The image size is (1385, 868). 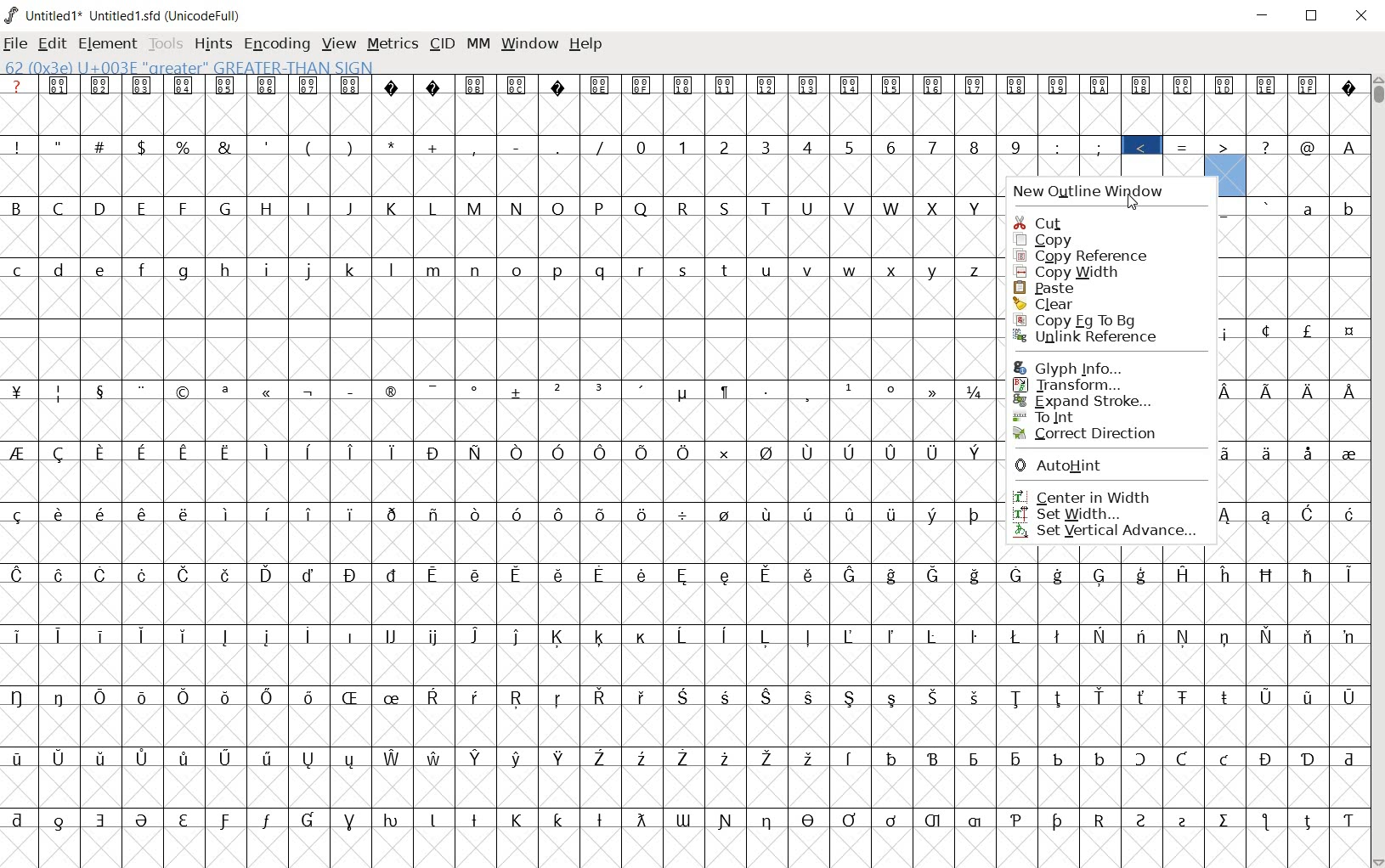 I want to click on file, so click(x=15, y=45).